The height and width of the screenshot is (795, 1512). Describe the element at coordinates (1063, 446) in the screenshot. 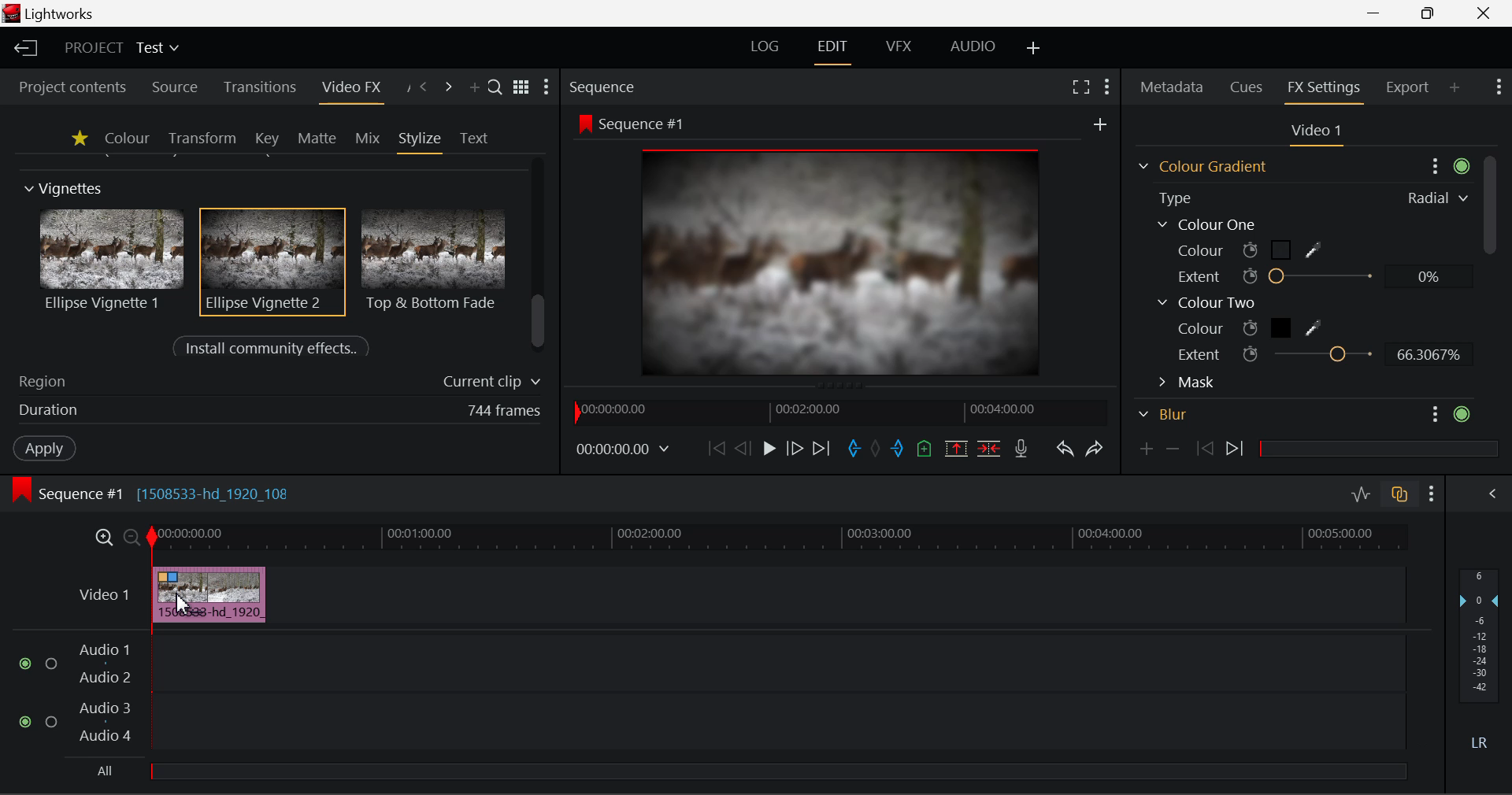

I see `Undo` at that location.